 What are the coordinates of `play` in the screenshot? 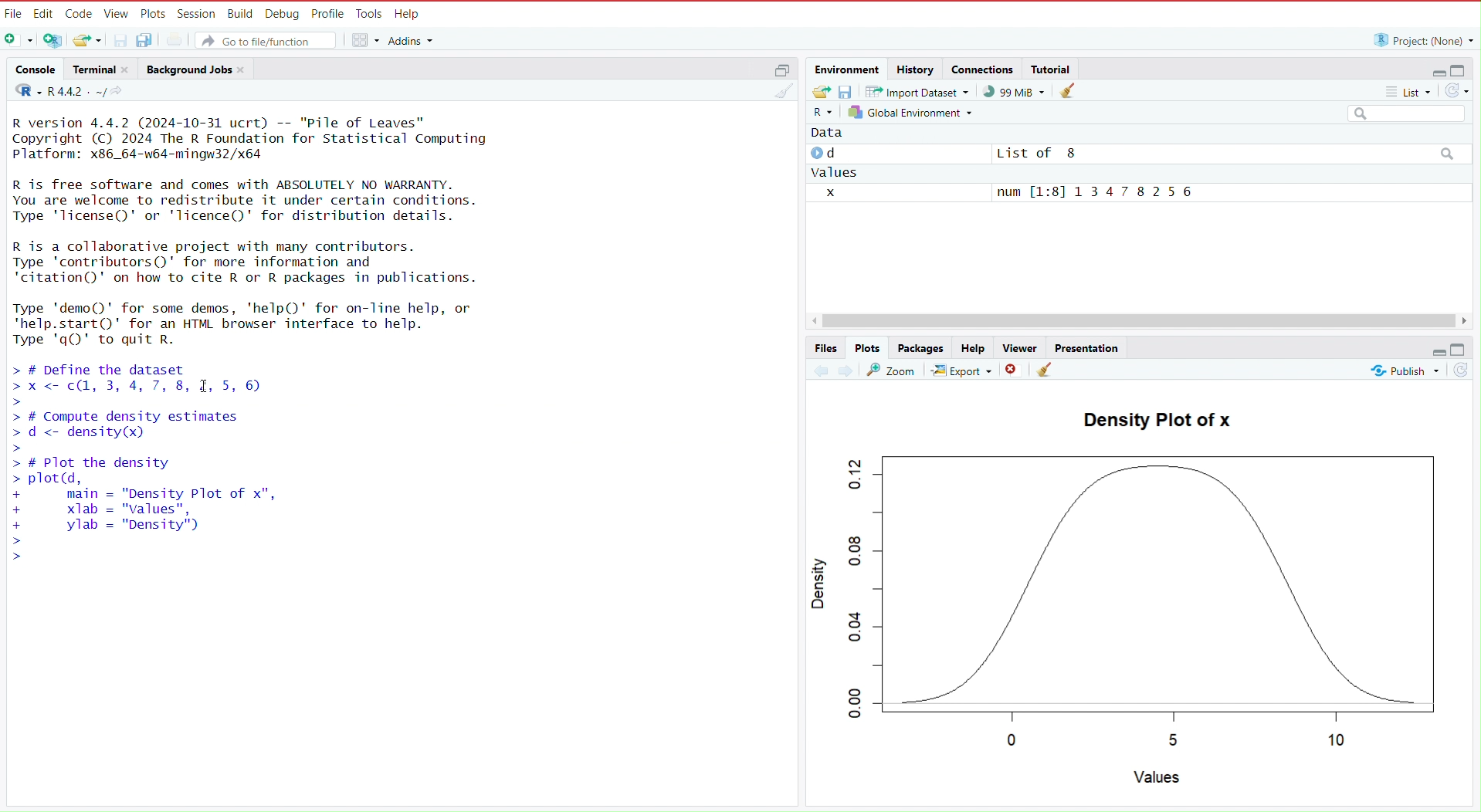 It's located at (814, 154).